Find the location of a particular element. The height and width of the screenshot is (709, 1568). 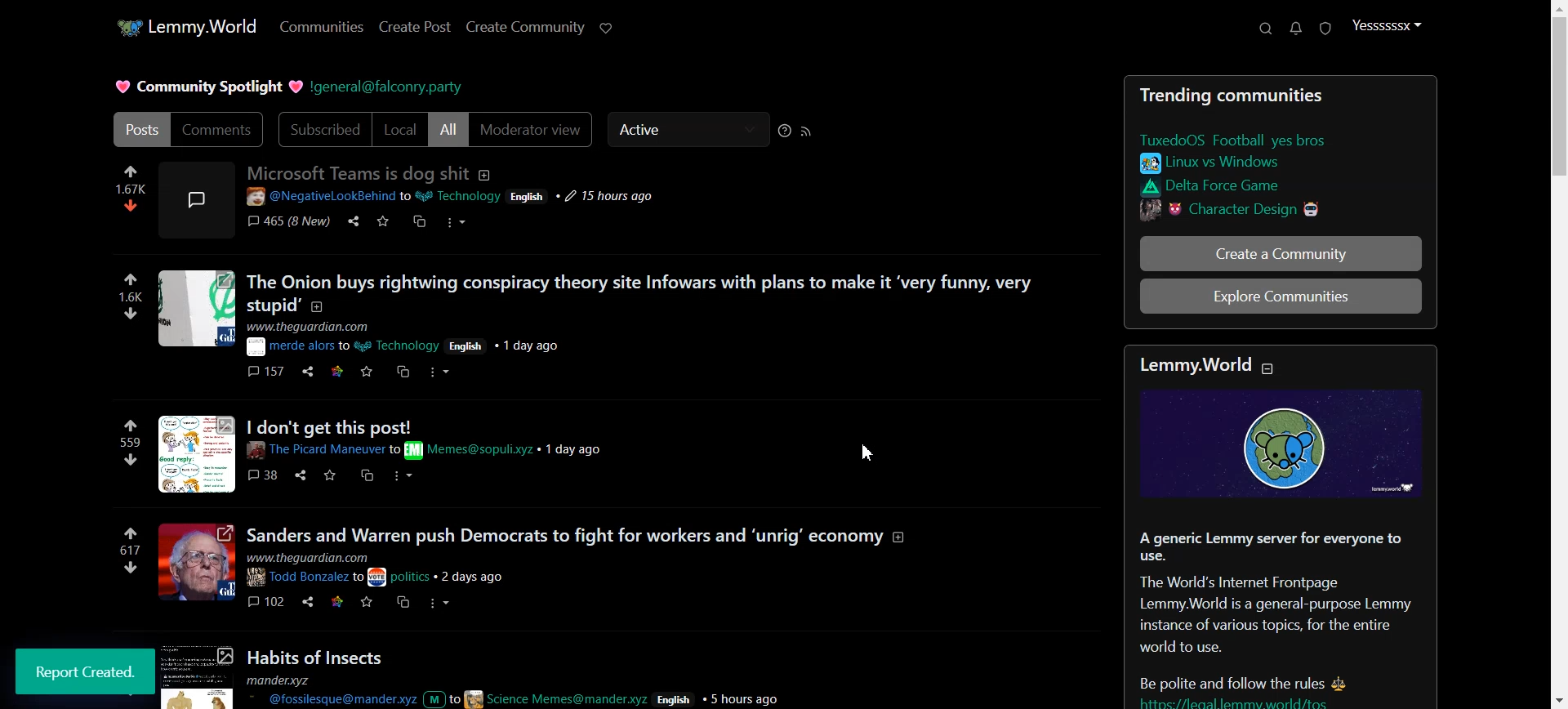

Unread message is located at coordinates (1296, 29).